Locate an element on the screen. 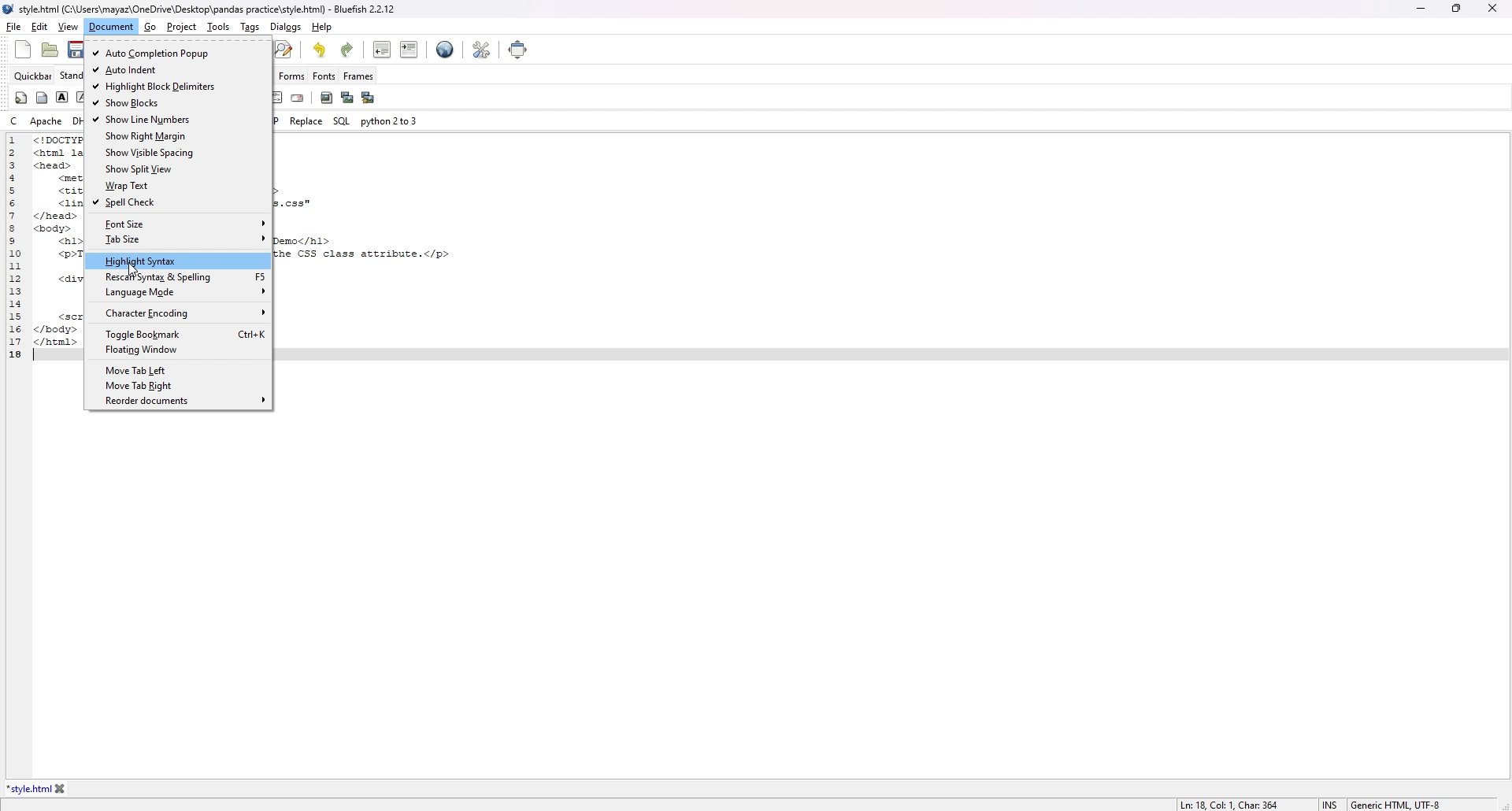 The image size is (1512, 811). replace is located at coordinates (402, 121).